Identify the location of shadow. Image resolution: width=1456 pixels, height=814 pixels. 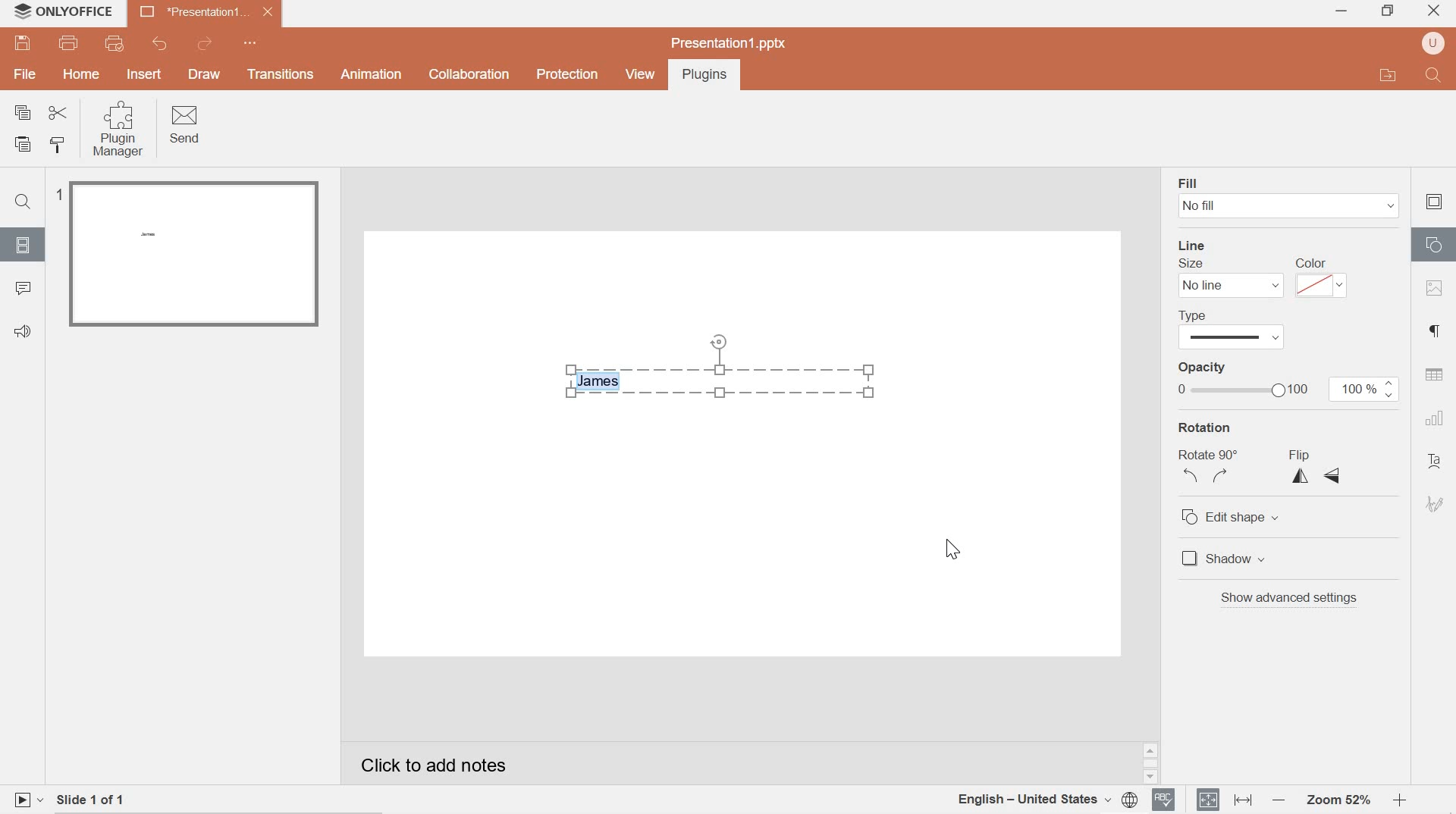
(1301, 560).